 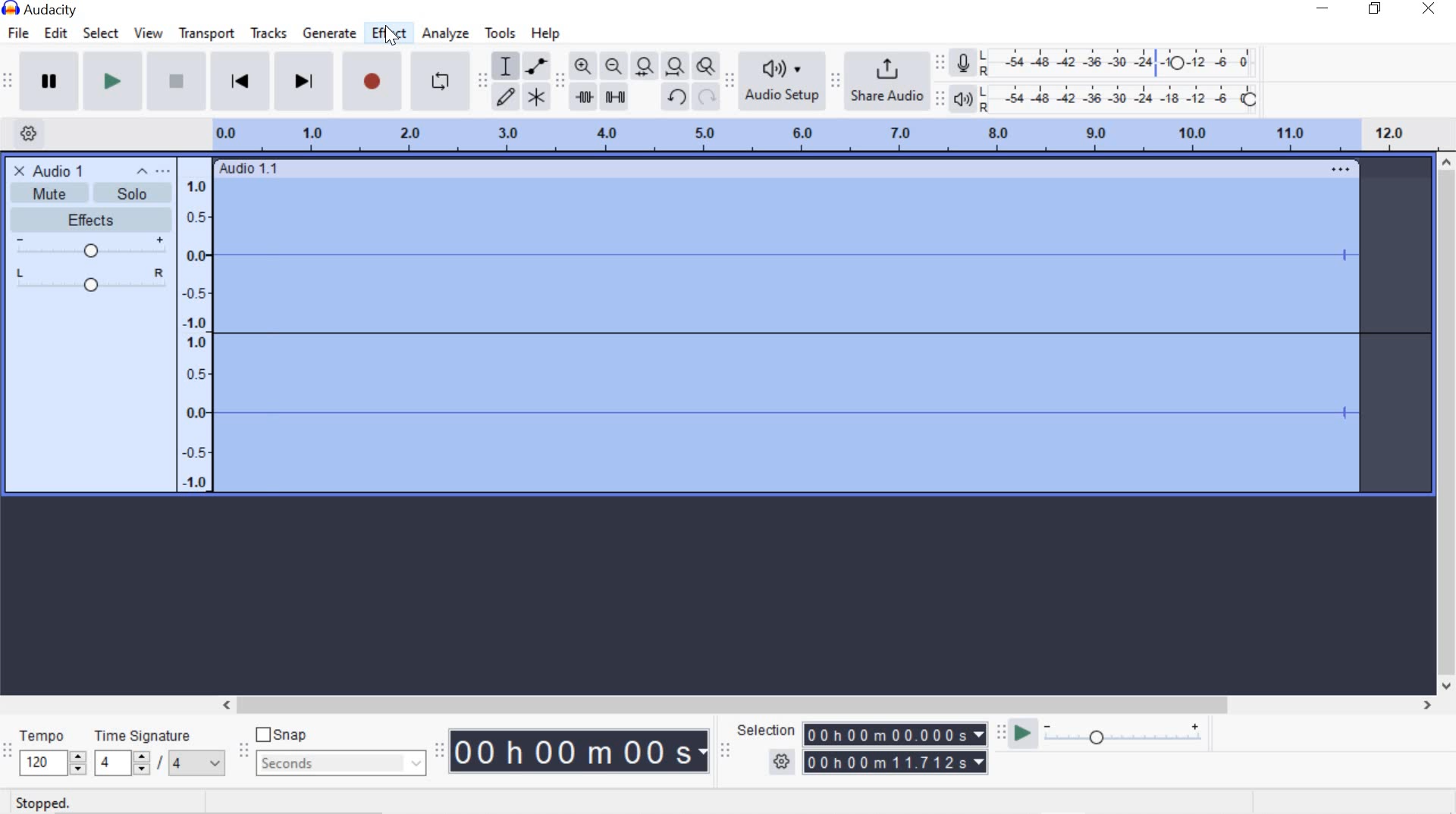 I want to click on Recording level, so click(x=1125, y=59).